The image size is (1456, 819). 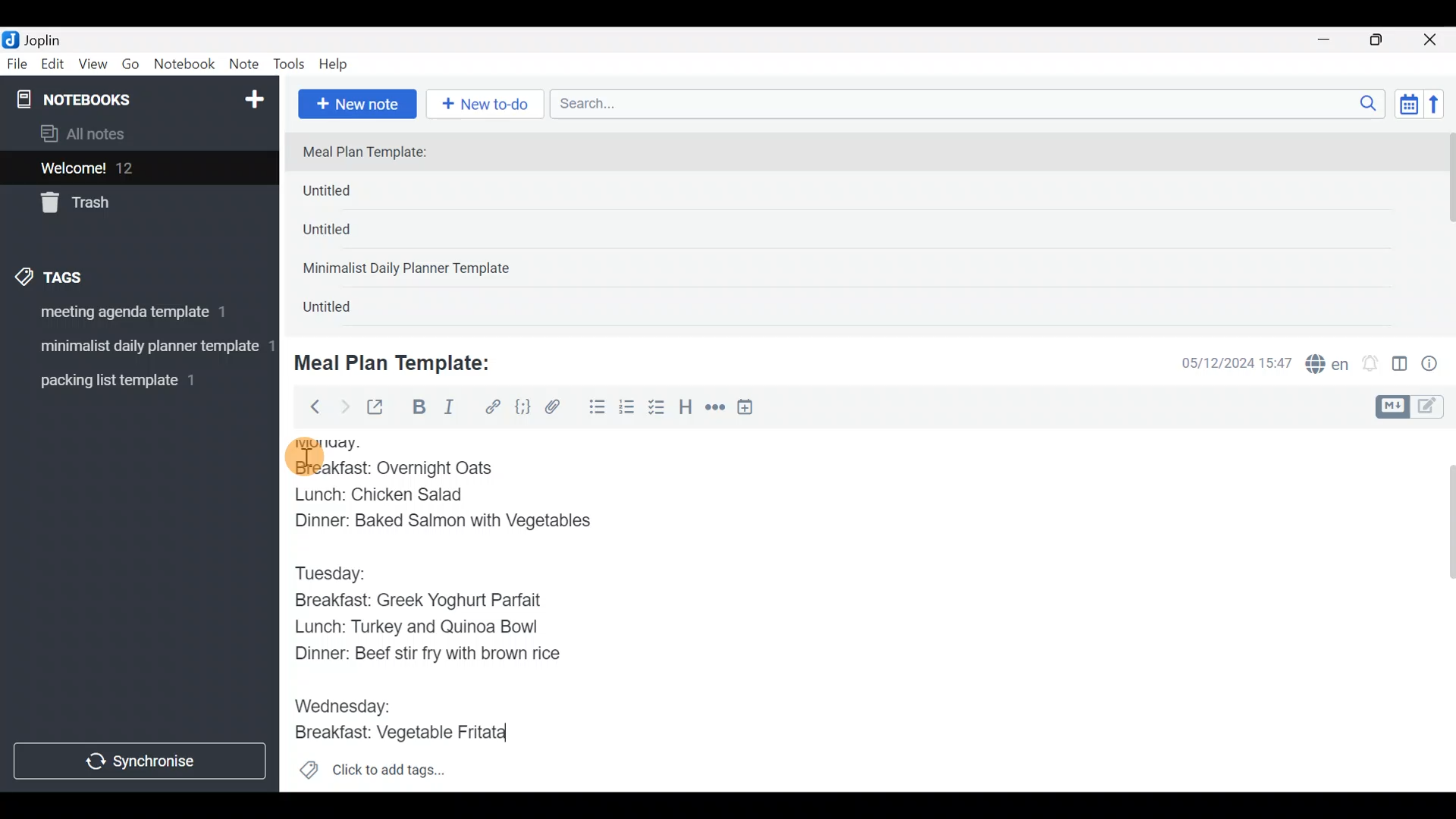 I want to click on Forward, so click(x=344, y=406).